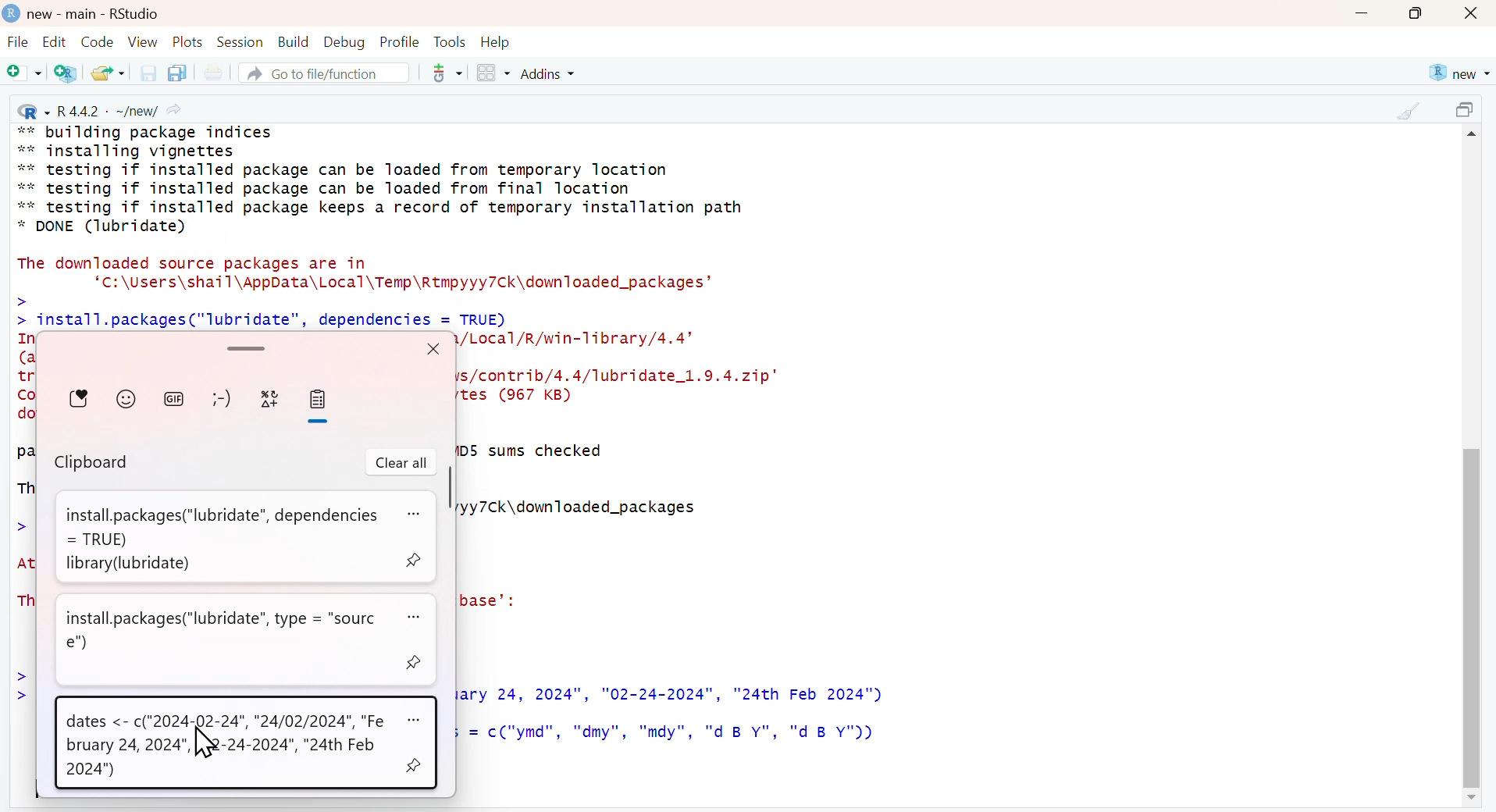  I want to click on save the current document, so click(146, 73).